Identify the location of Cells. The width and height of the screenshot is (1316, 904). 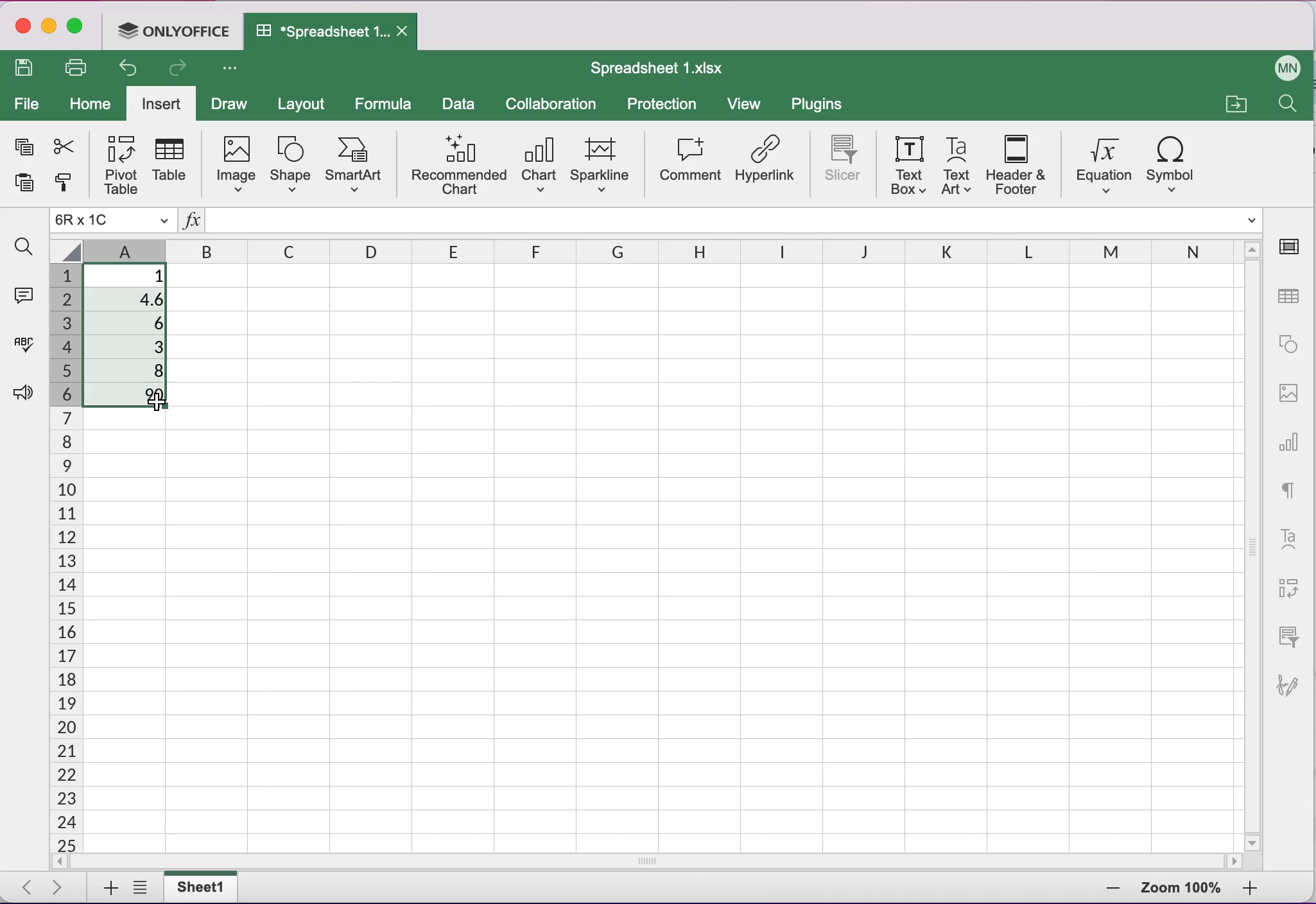
(713, 559).